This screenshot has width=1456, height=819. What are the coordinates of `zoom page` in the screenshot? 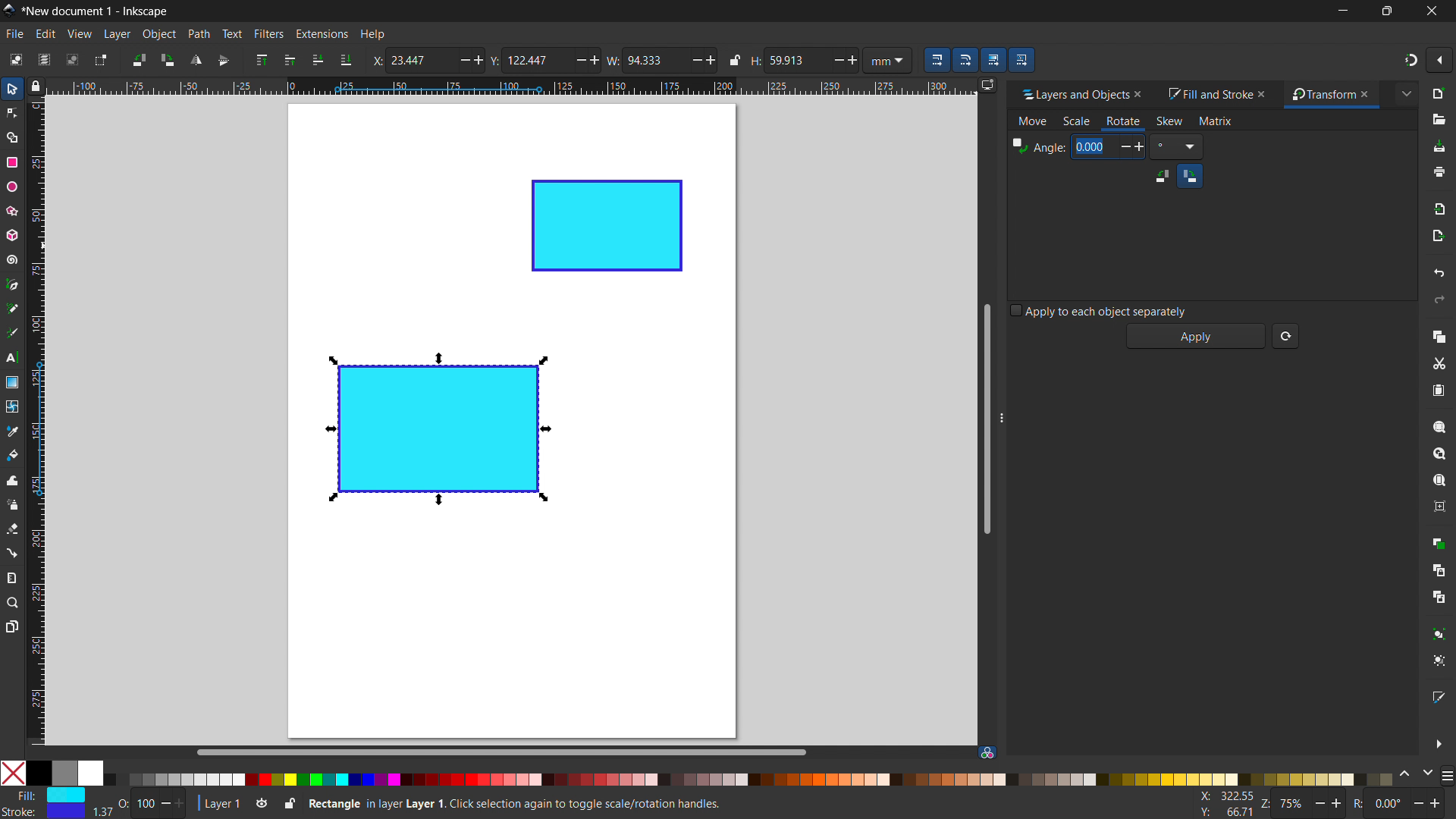 It's located at (1439, 481).